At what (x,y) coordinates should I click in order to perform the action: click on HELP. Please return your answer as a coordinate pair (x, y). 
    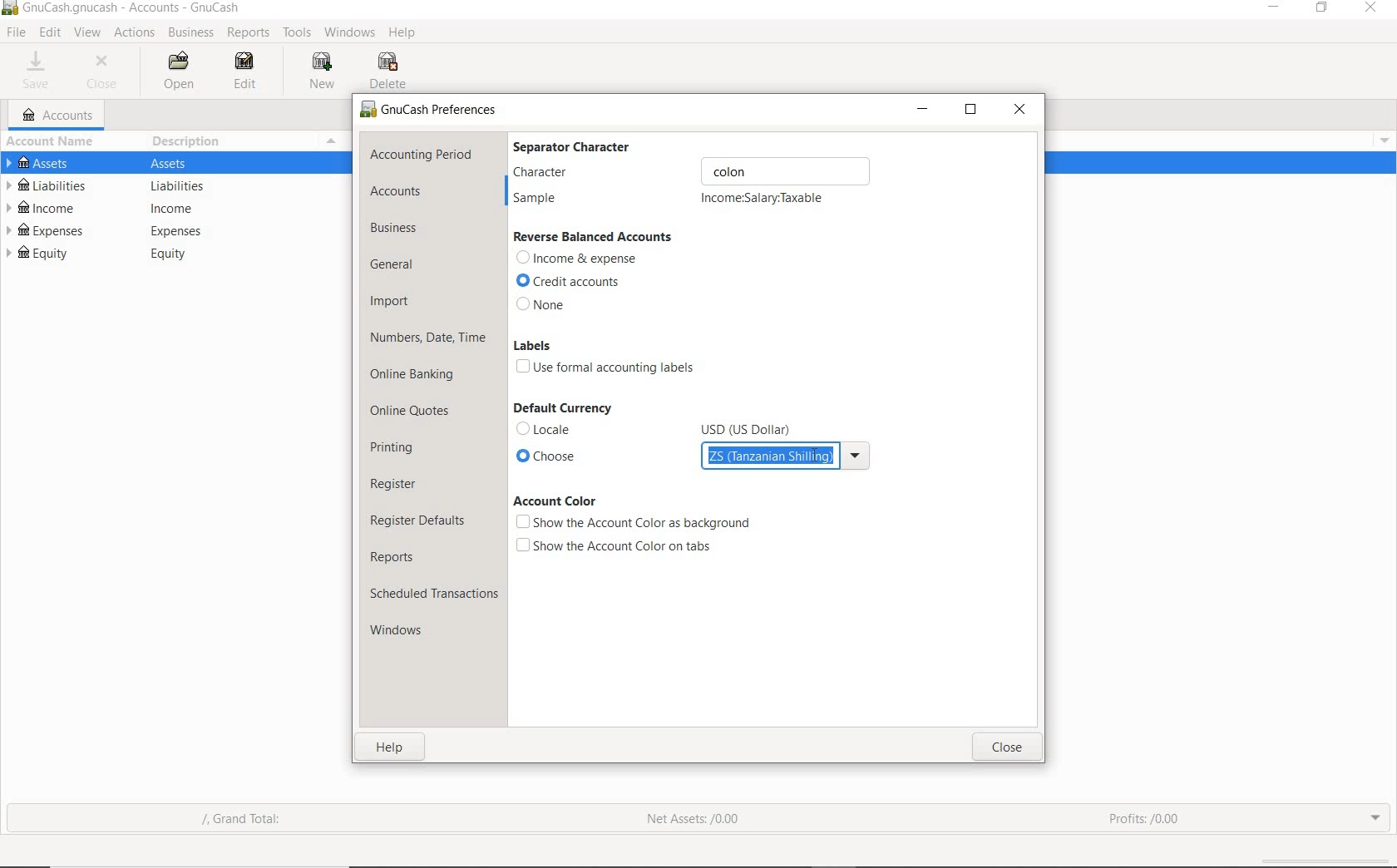
    Looking at the image, I should click on (405, 33).